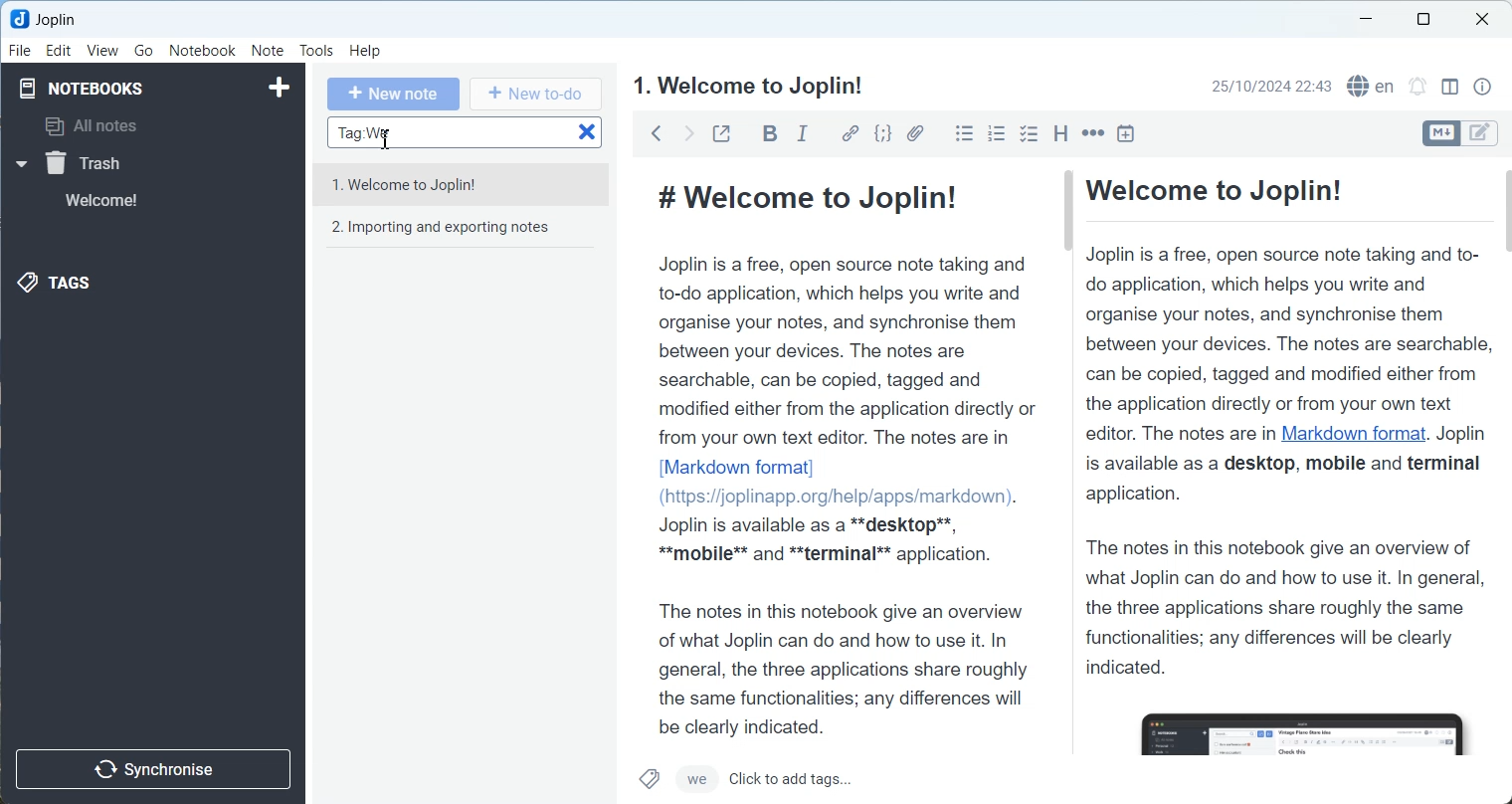 The width and height of the screenshot is (1512, 804). Describe the element at coordinates (700, 784) in the screenshot. I see `Tag Name- we` at that location.